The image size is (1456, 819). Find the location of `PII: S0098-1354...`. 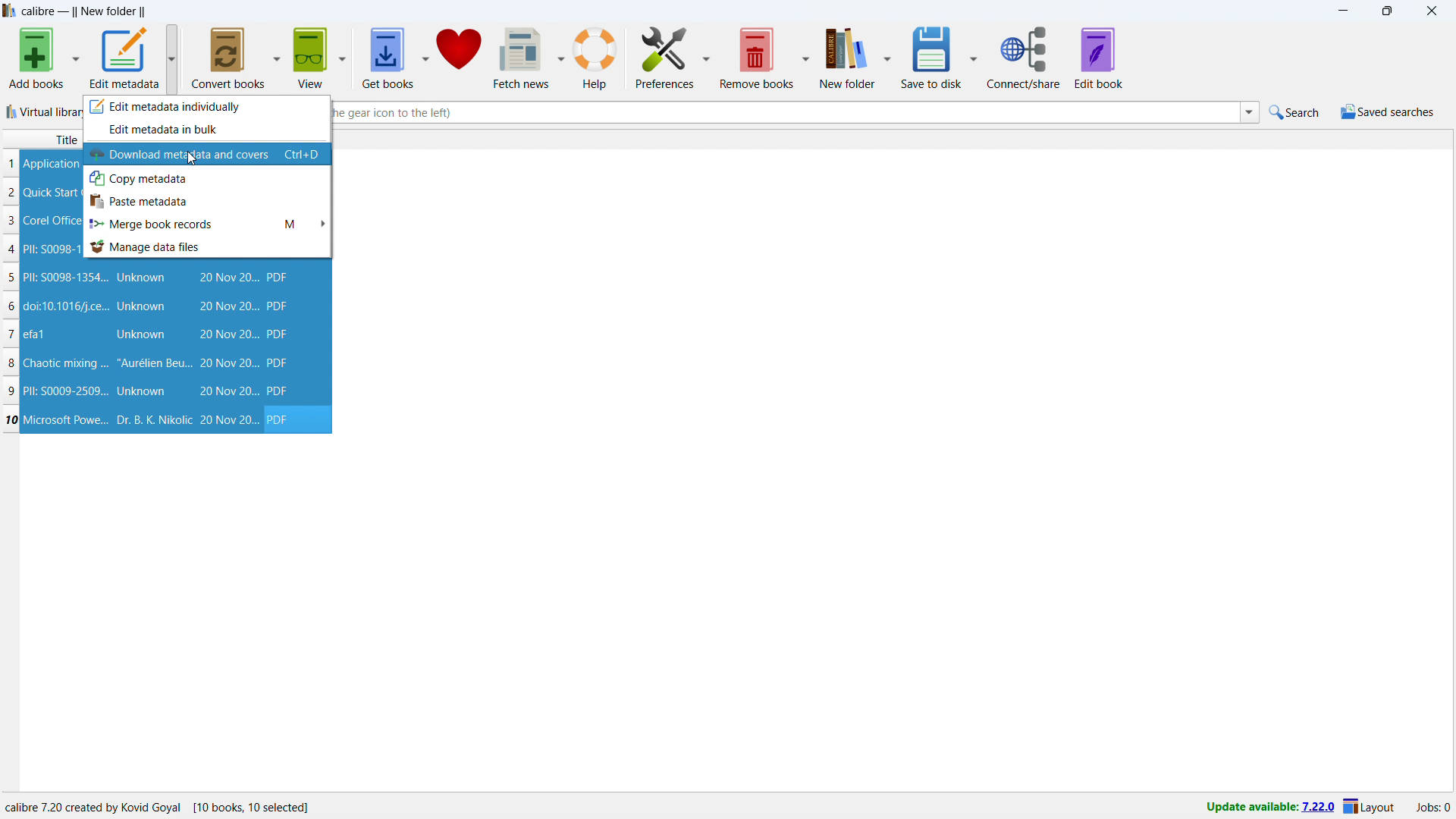

PII: S0098-1354... is located at coordinates (55, 248).